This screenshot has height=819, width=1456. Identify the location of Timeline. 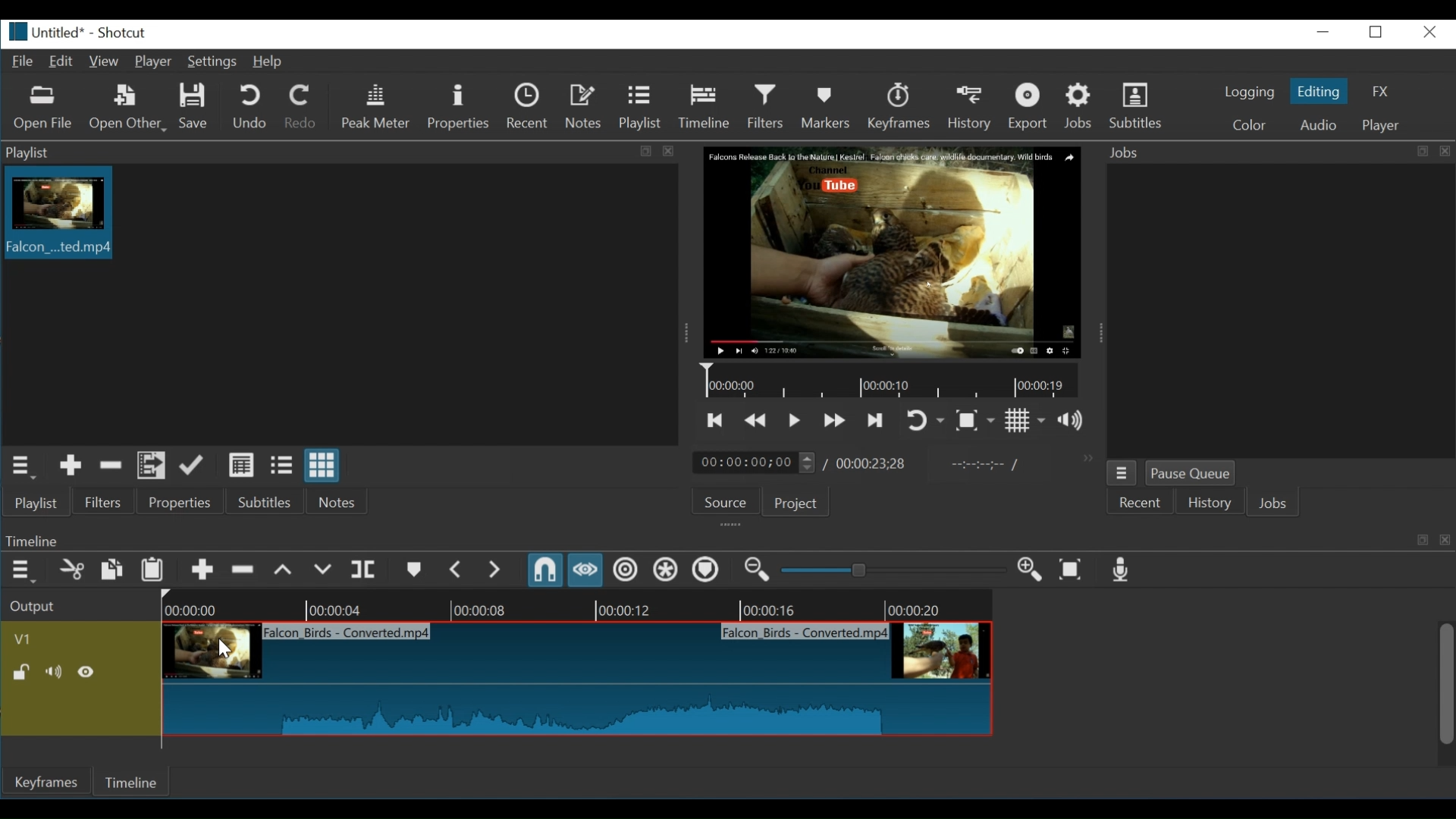
(704, 105).